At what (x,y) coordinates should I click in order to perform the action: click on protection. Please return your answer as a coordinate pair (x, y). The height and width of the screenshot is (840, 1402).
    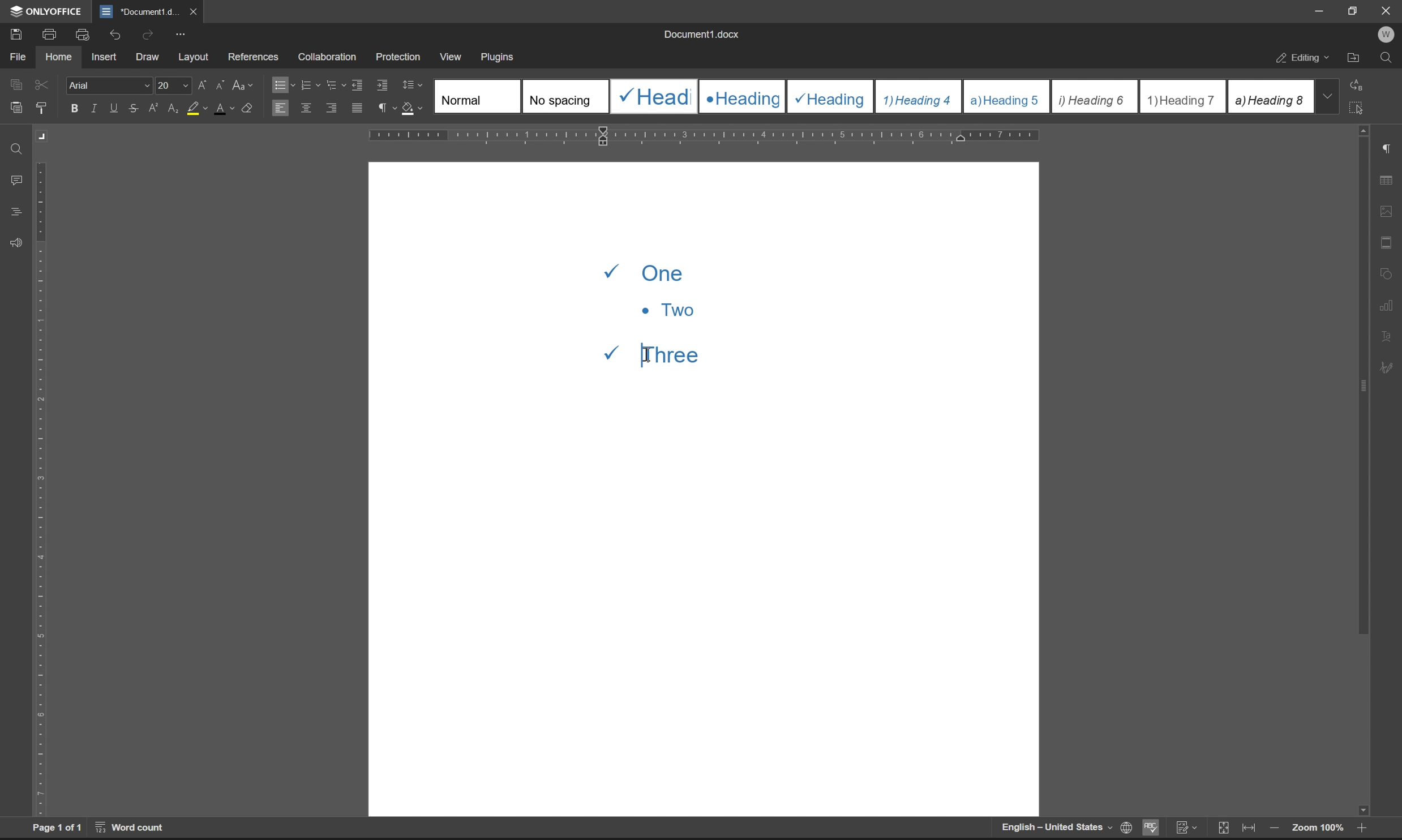
    Looking at the image, I should click on (400, 56).